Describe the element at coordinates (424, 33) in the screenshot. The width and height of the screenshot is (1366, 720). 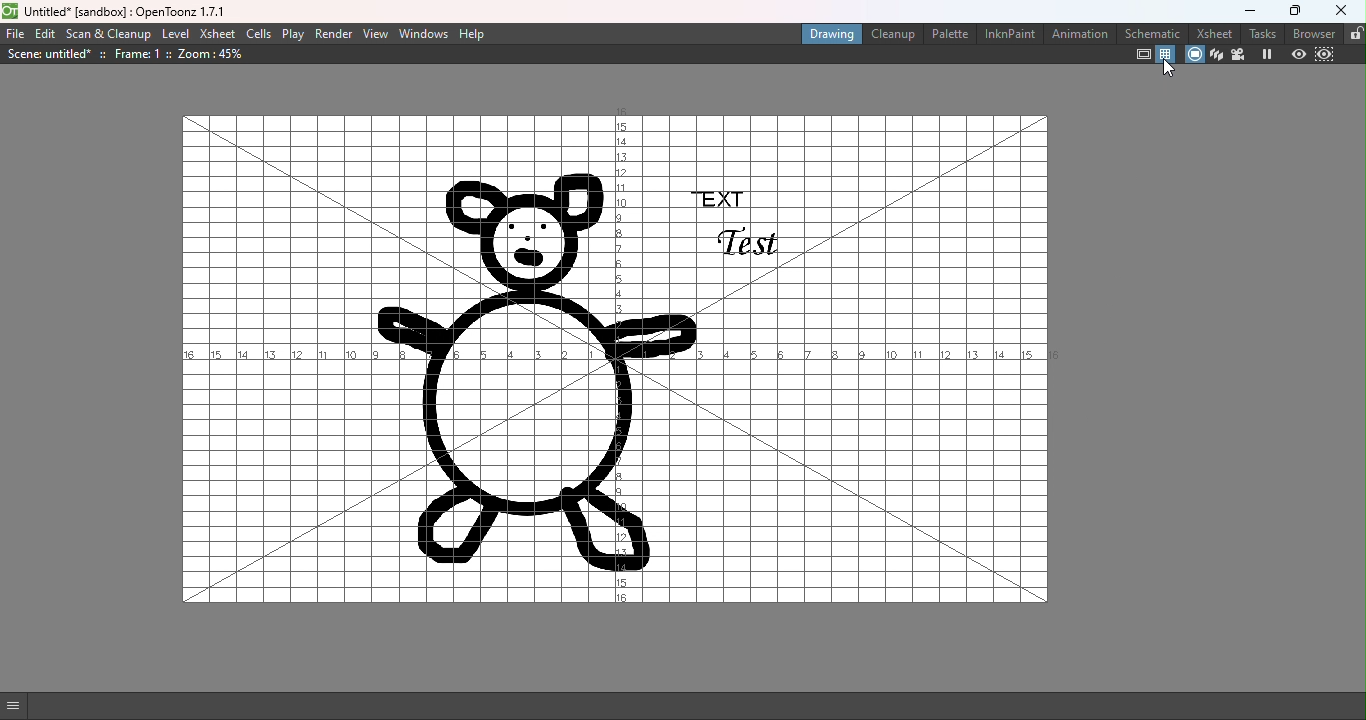
I see `Windows` at that location.